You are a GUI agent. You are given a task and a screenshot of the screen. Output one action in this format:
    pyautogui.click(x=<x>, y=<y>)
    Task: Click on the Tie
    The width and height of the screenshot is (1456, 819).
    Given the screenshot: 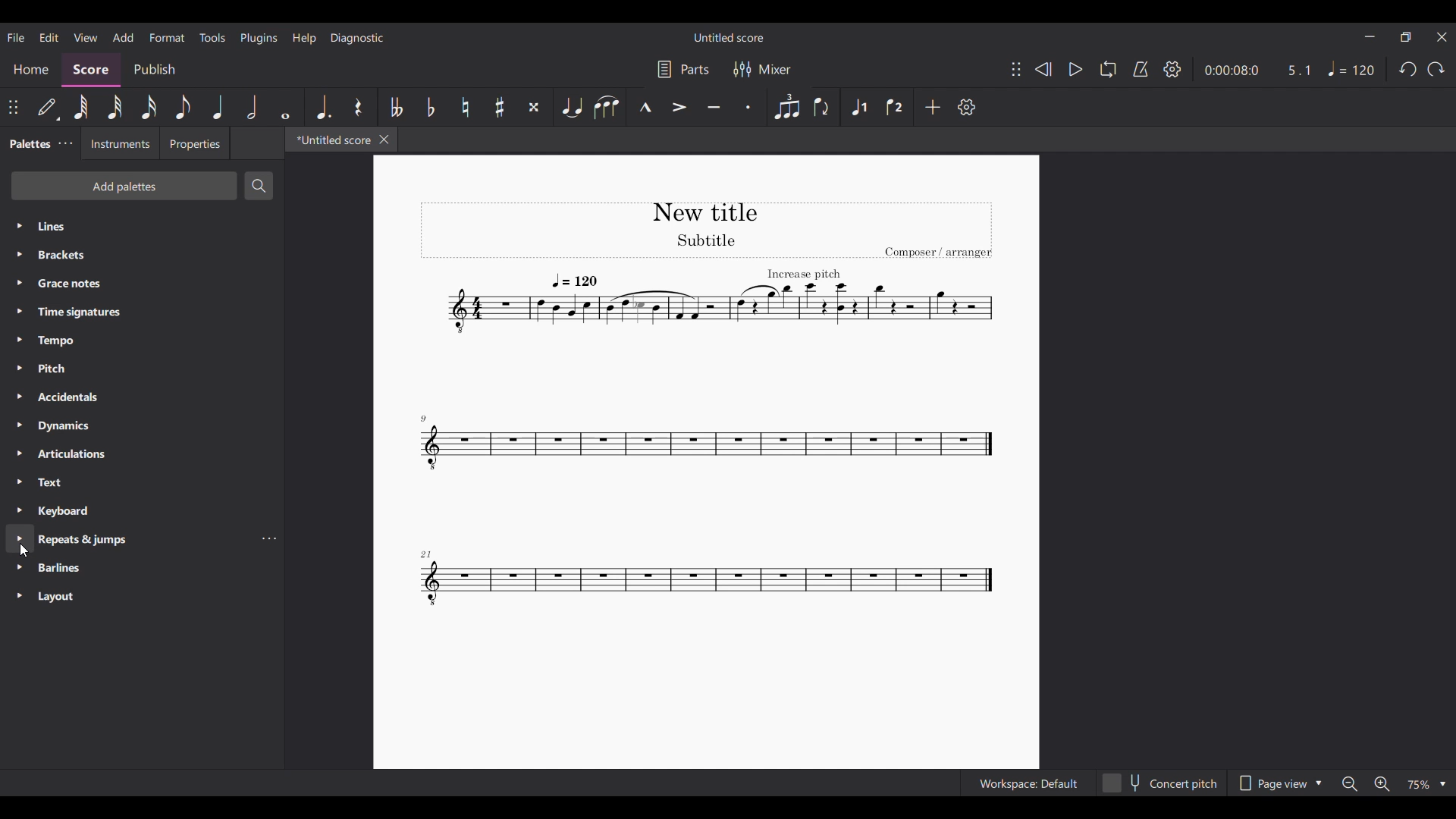 What is the action you would take?
    pyautogui.click(x=572, y=107)
    